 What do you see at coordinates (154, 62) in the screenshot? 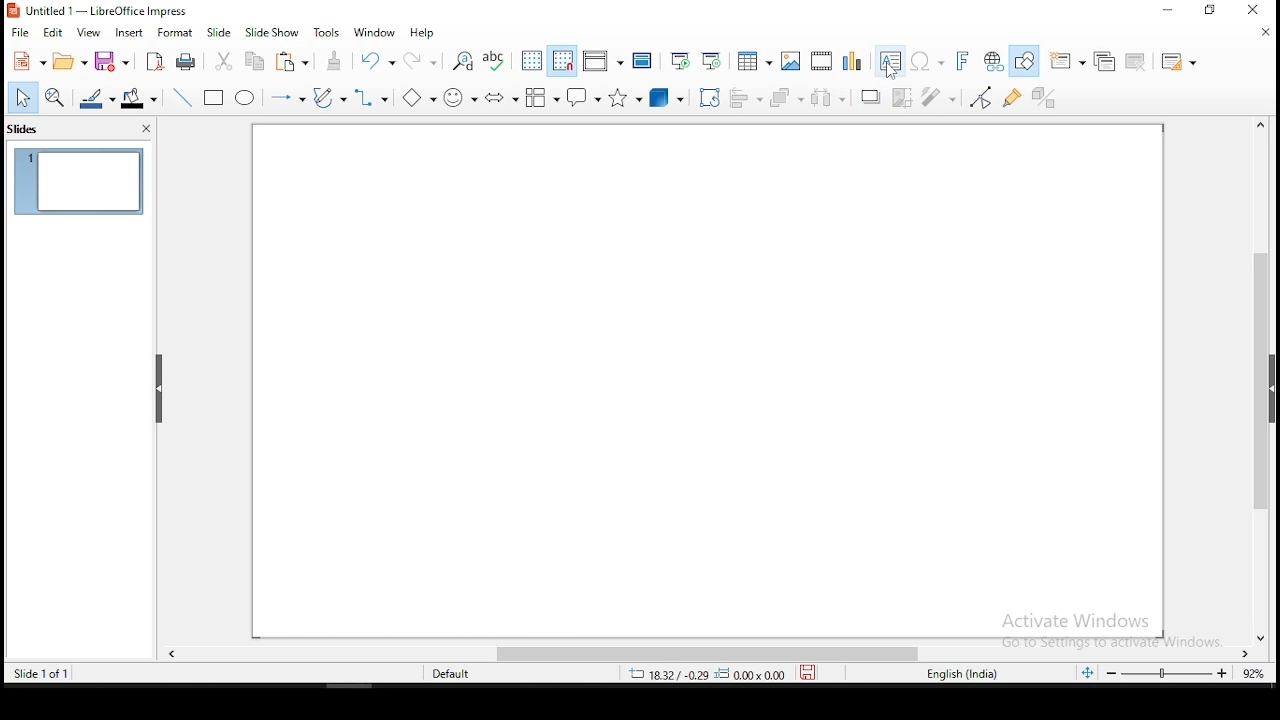
I see `export as pdf` at bounding box center [154, 62].